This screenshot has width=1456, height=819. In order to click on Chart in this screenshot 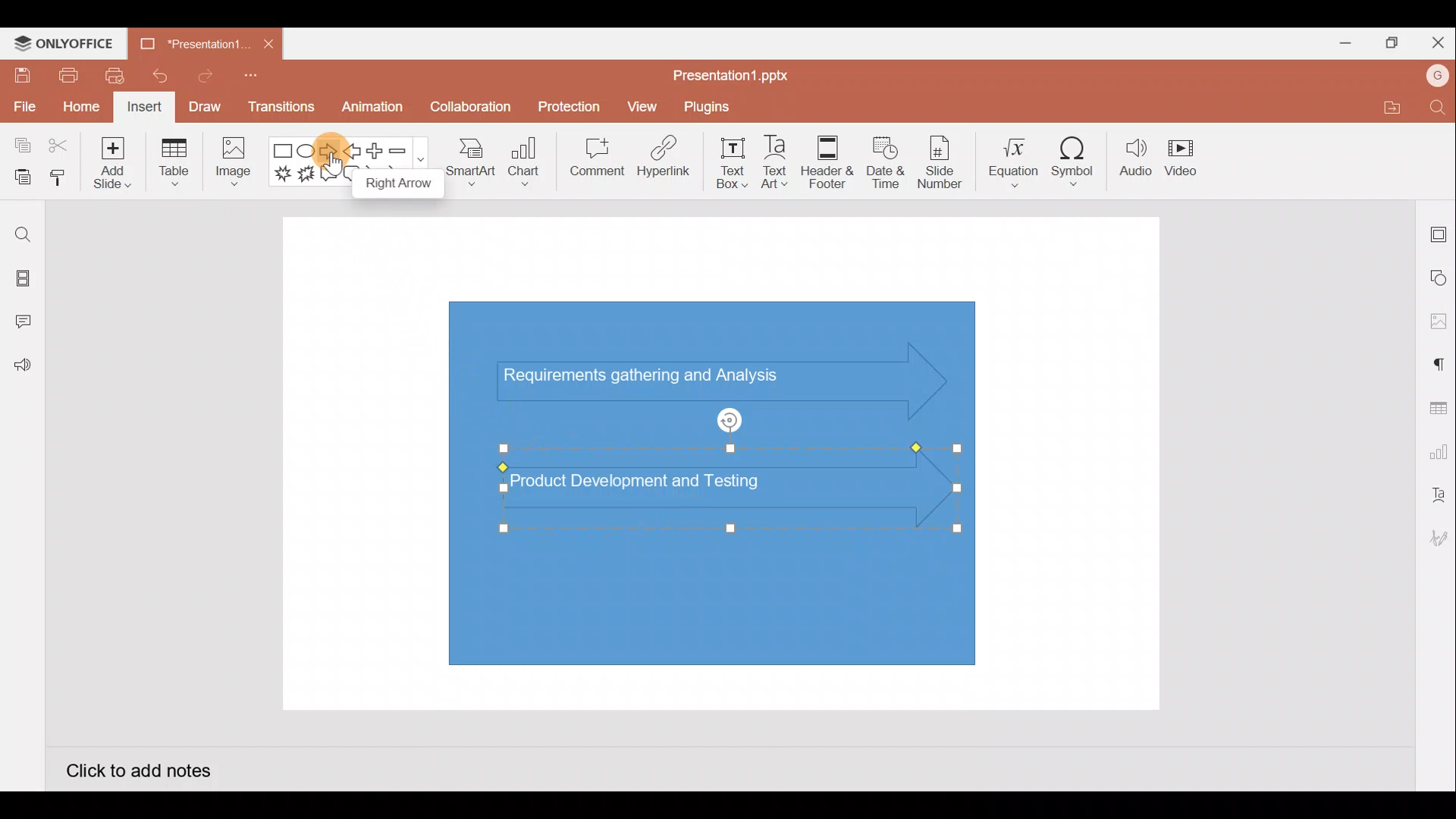, I will do `click(525, 160)`.